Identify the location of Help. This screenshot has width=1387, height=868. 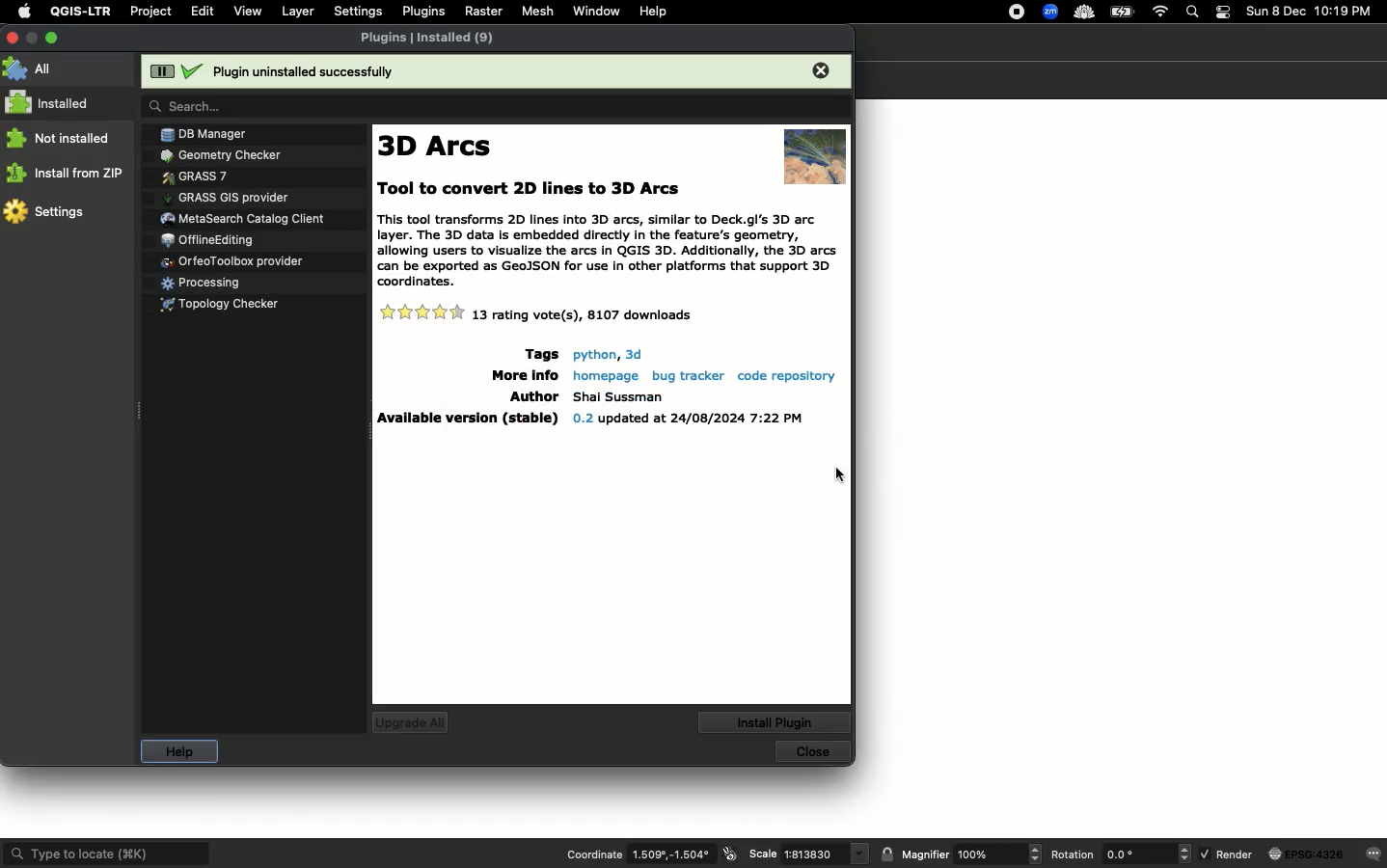
(181, 751).